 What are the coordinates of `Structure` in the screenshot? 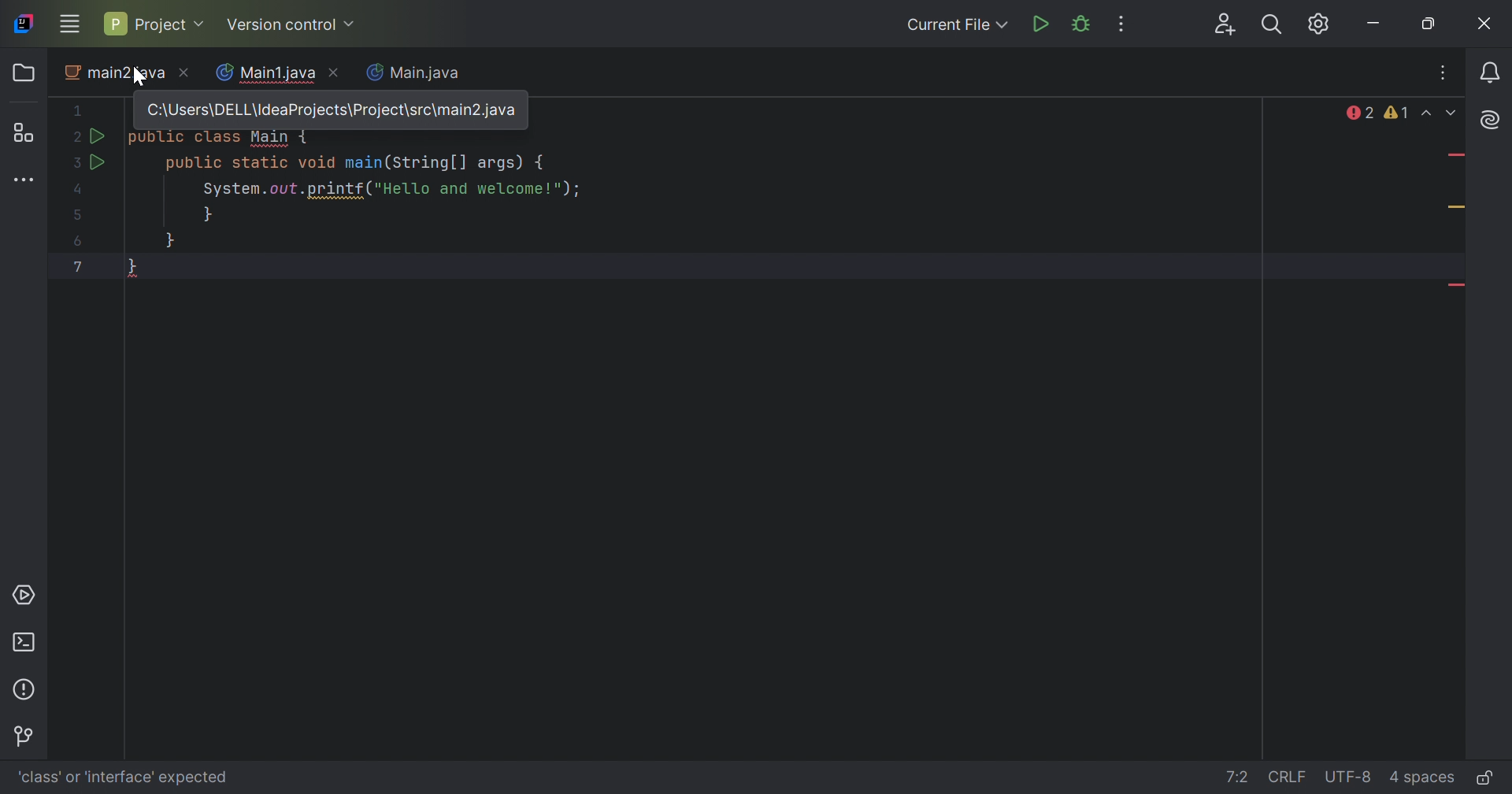 It's located at (22, 132).